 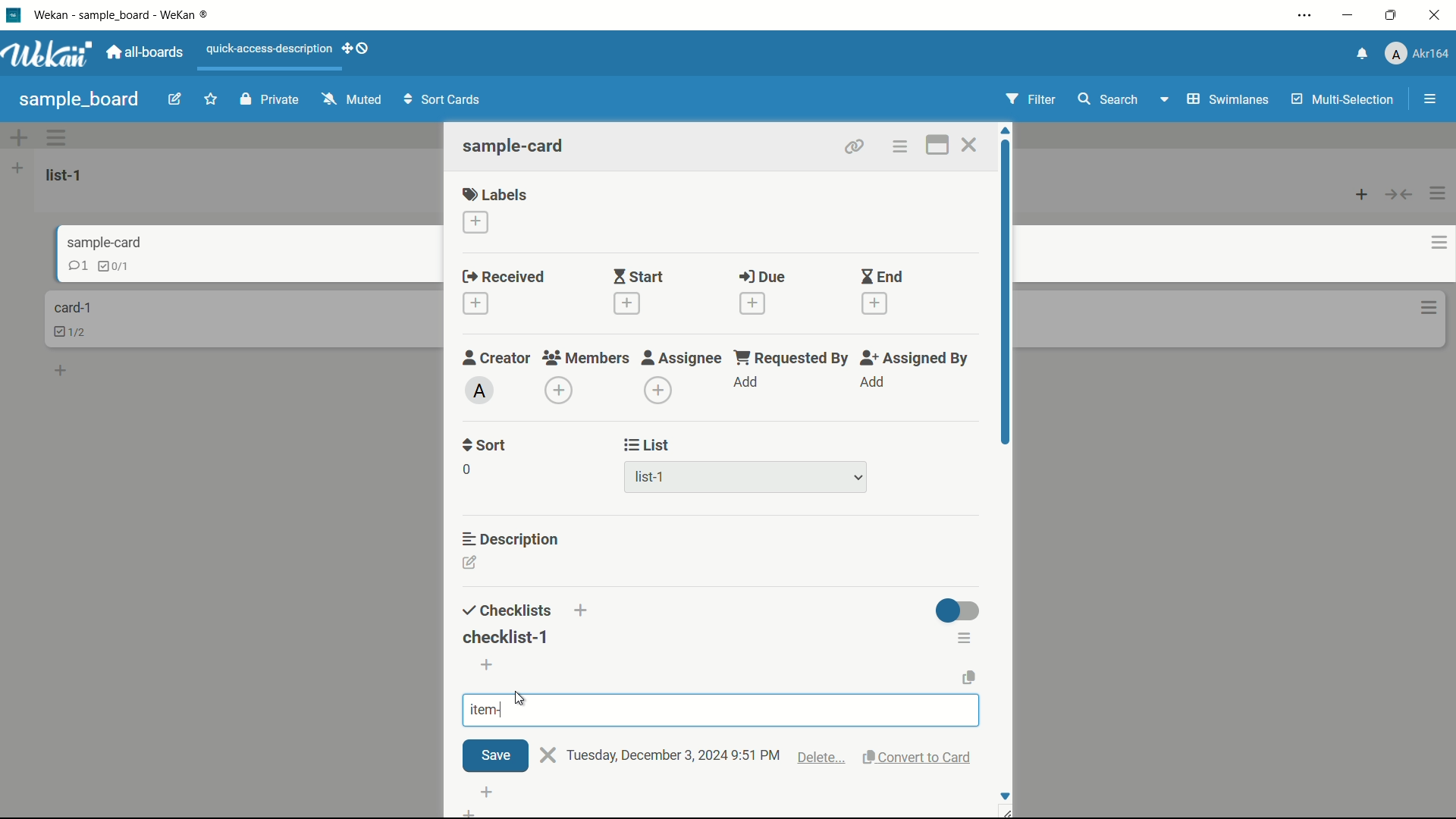 What do you see at coordinates (822, 760) in the screenshot?
I see `delete` at bounding box center [822, 760].